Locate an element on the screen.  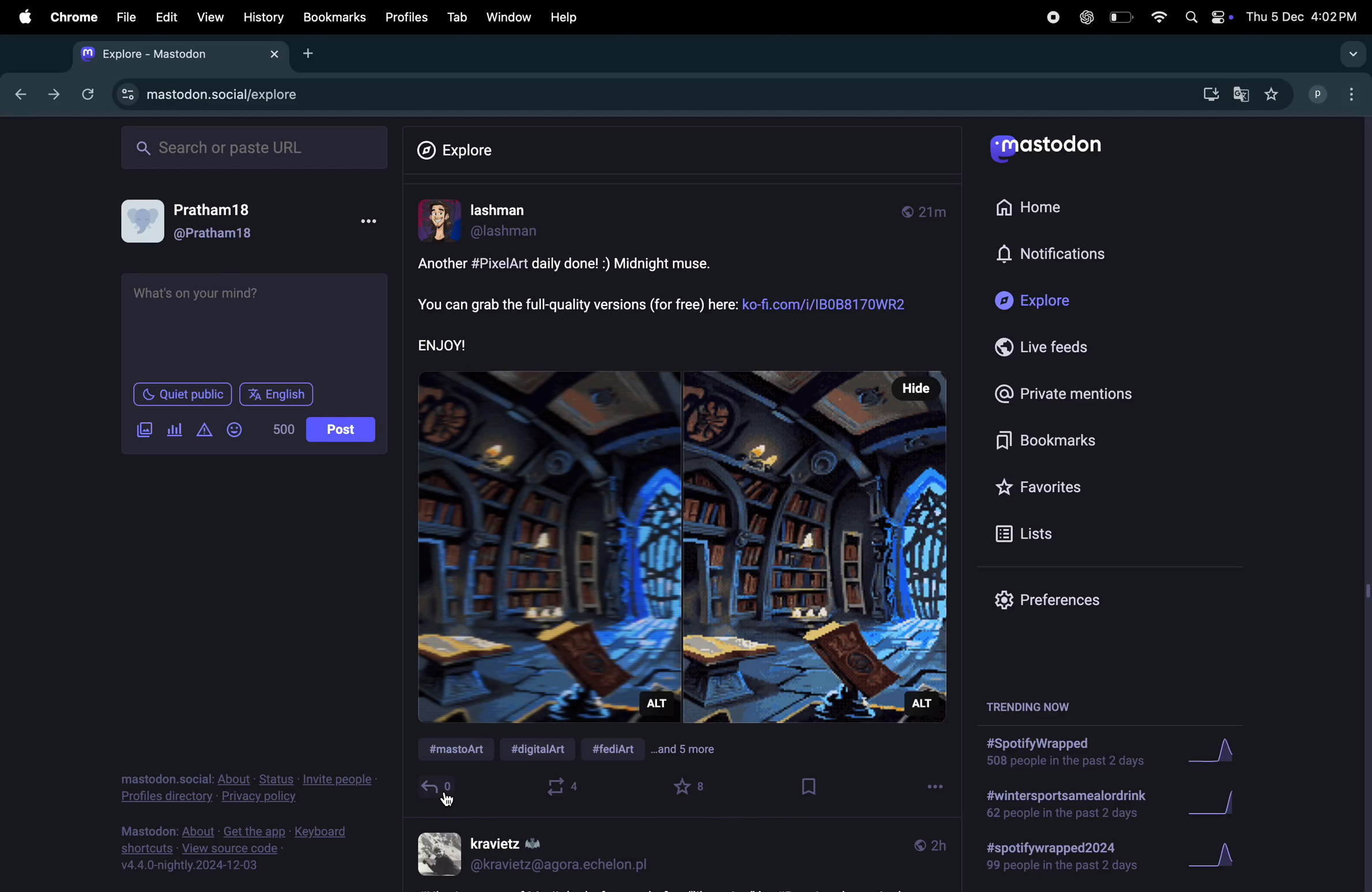
wifi is located at coordinates (1155, 16).